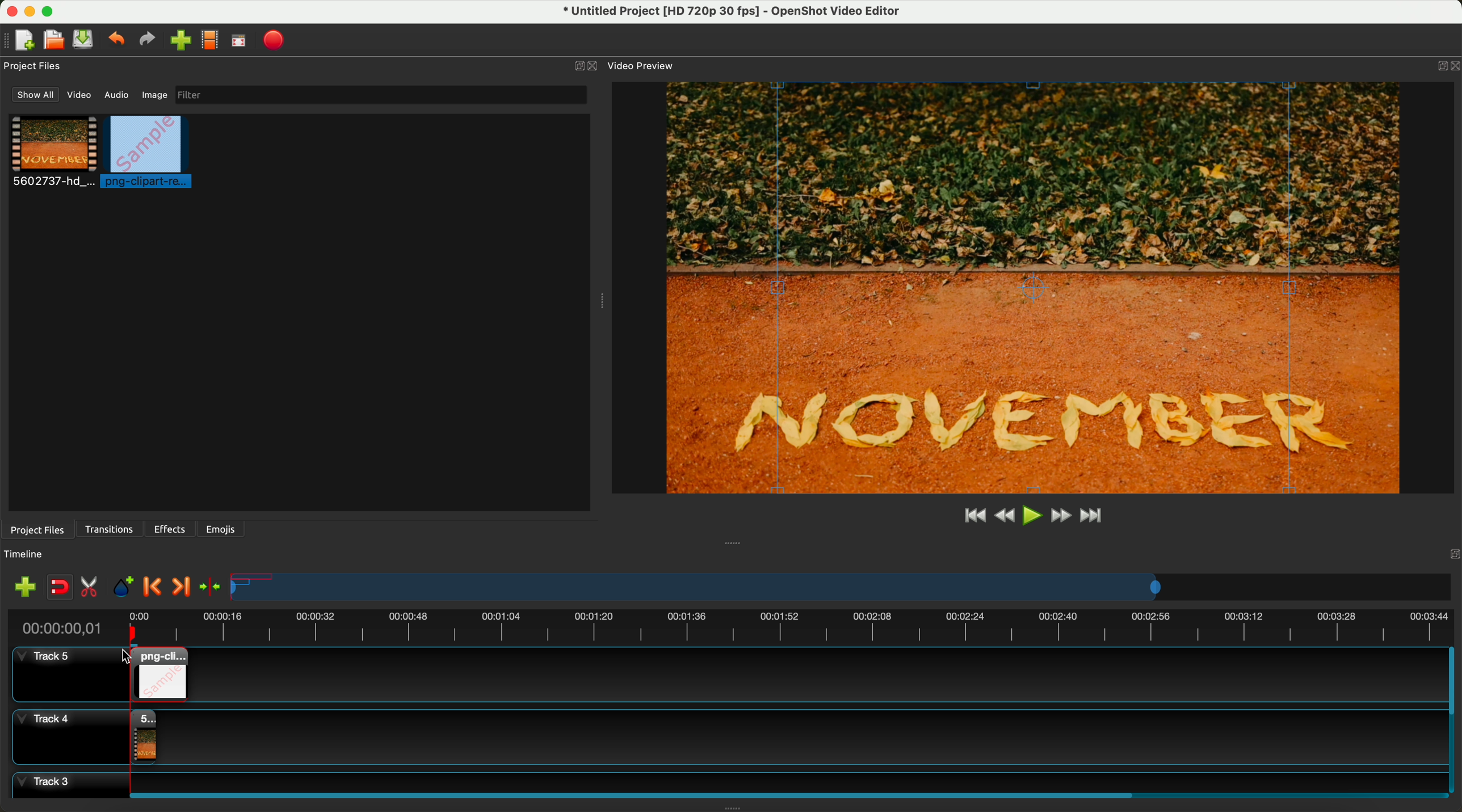 This screenshot has height=812, width=1462. Describe the element at coordinates (278, 40) in the screenshot. I see `export video` at that location.